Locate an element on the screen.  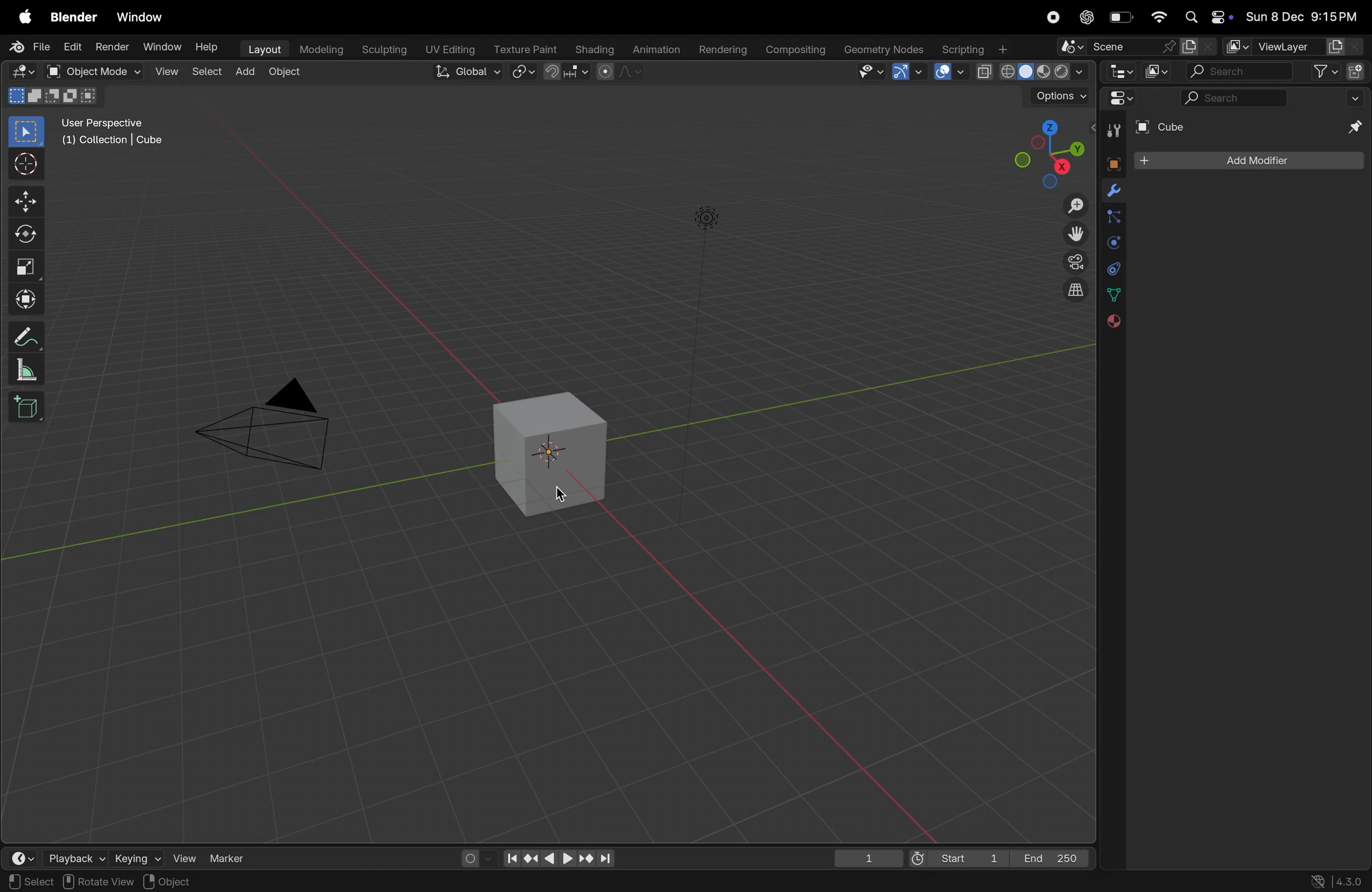
select box is located at coordinates (27, 131).